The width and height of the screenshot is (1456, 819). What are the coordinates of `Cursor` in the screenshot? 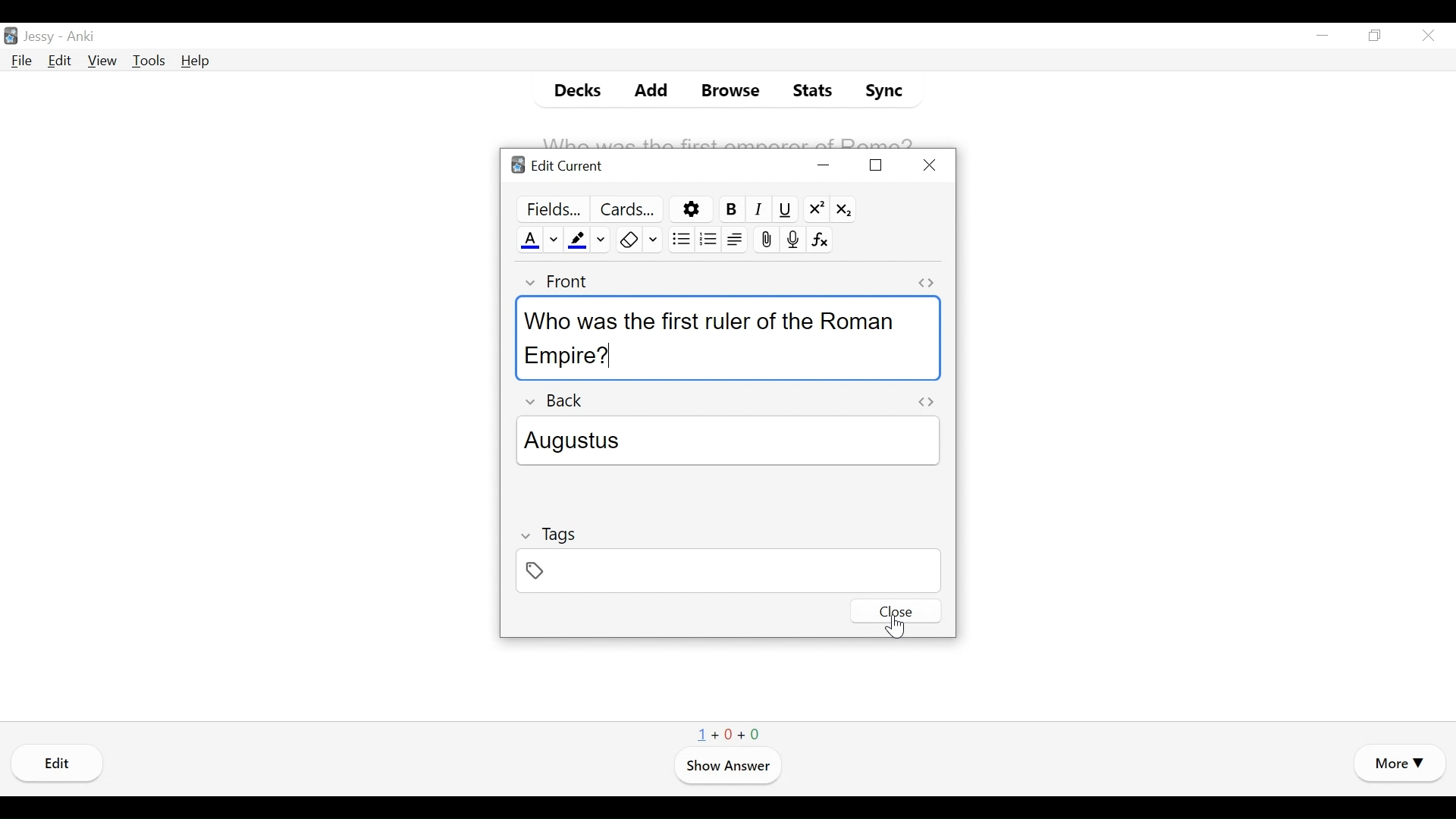 It's located at (897, 626).